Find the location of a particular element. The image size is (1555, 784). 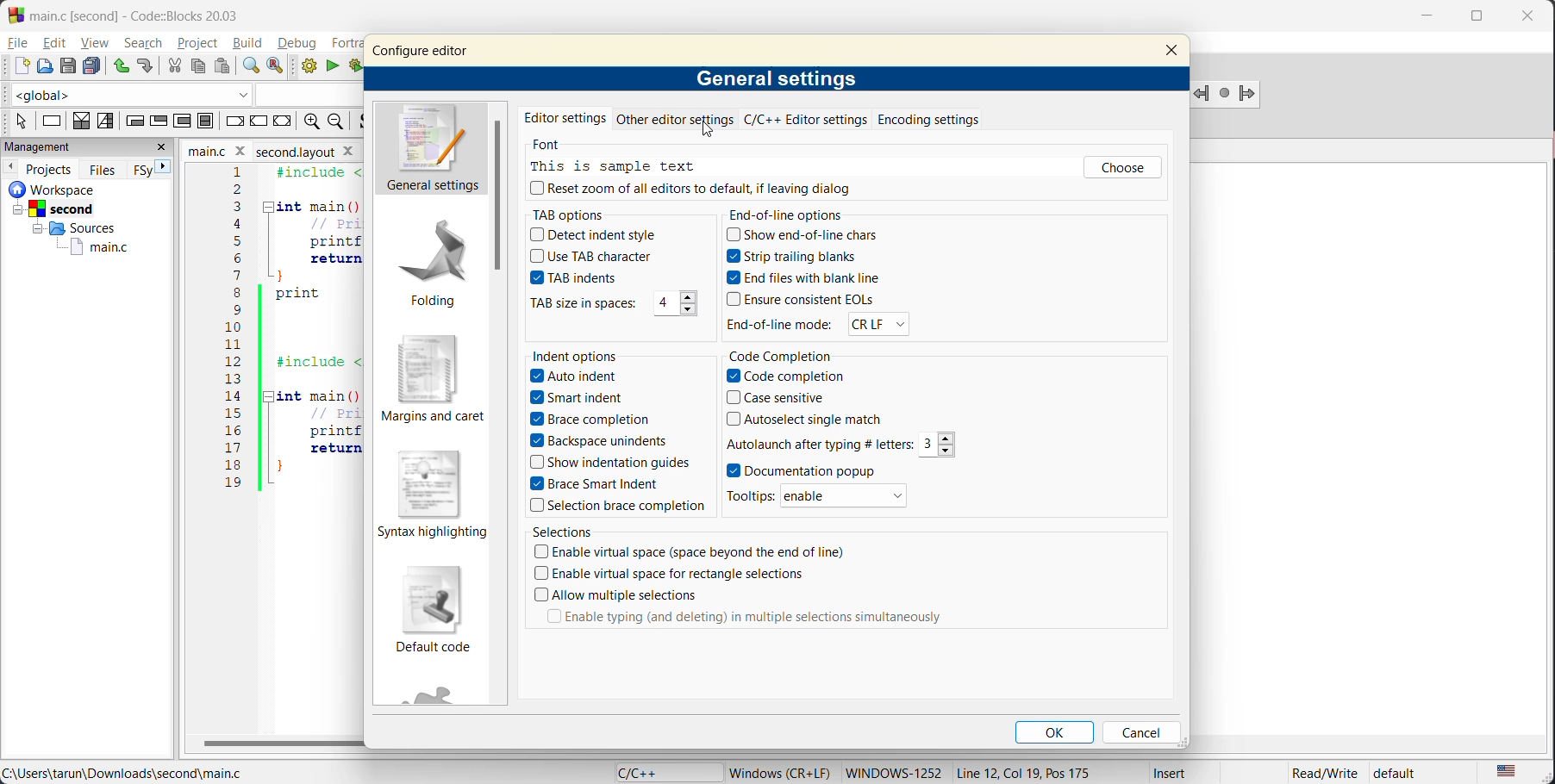

workspace is located at coordinates (68, 189).